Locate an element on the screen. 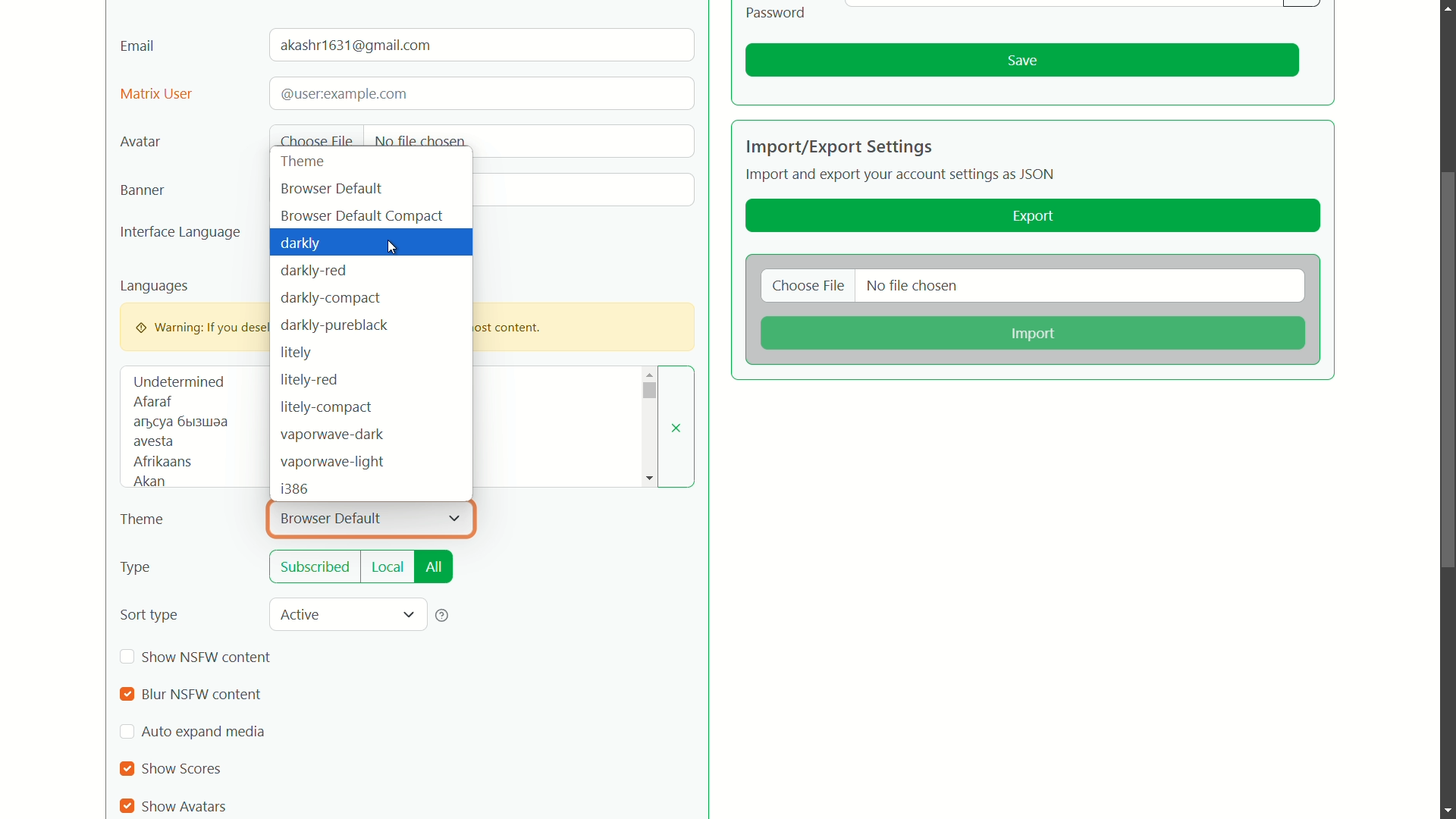 Image resolution: width=1456 pixels, height=819 pixels. sort type is located at coordinates (149, 615).